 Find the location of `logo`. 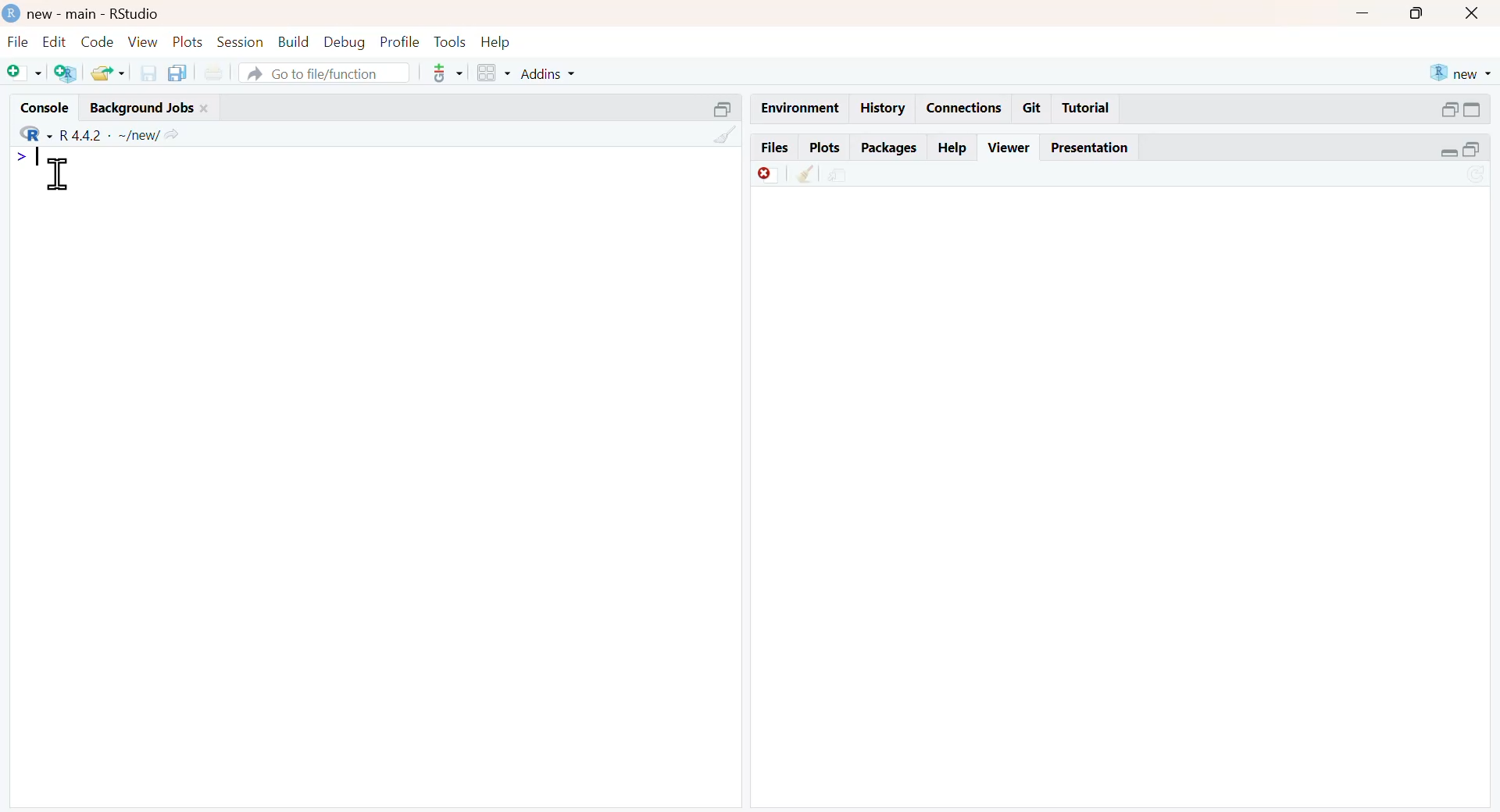

logo is located at coordinates (12, 14).